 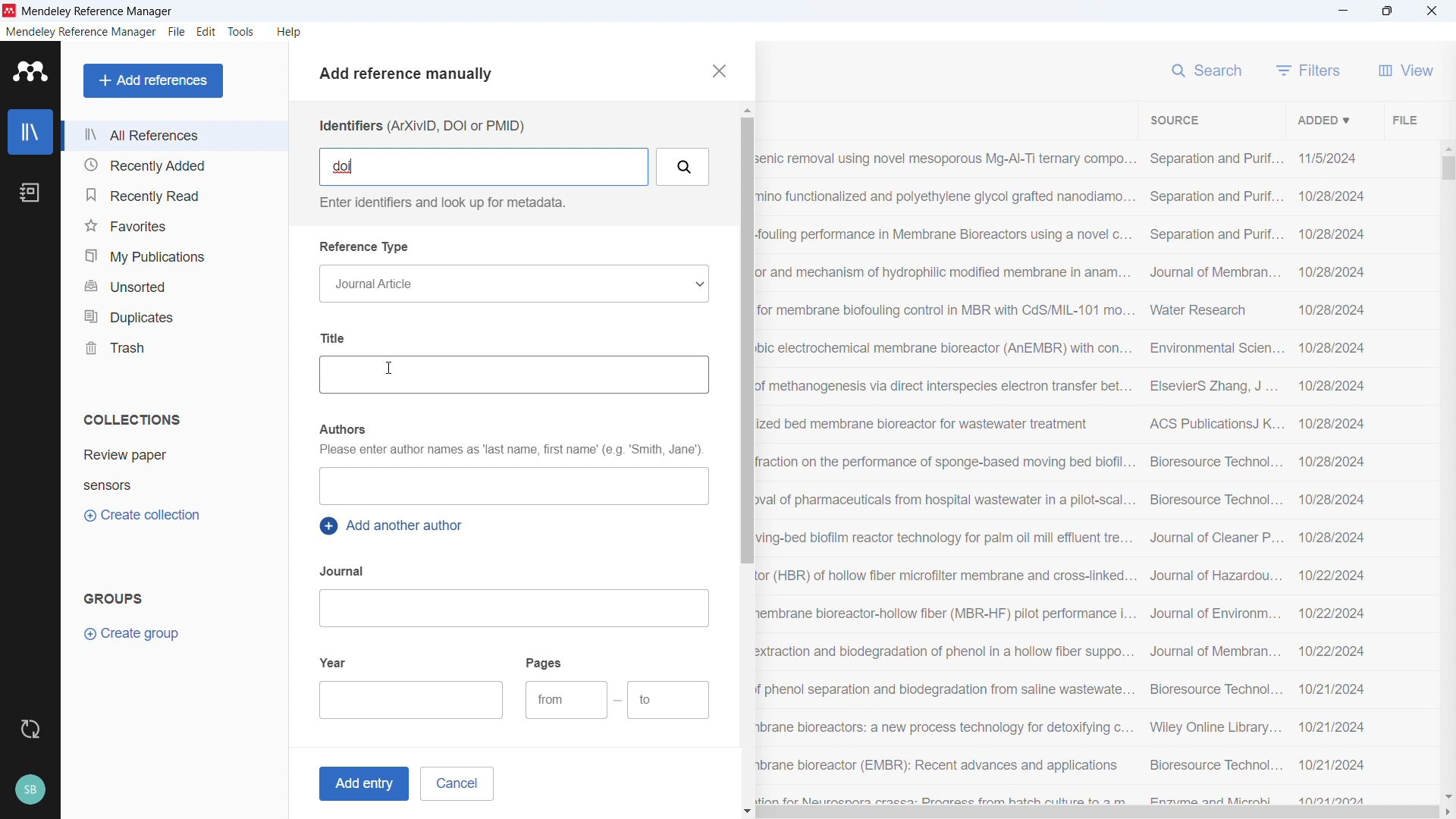 What do you see at coordinates (1388, 11) in the screenshot?
I see ` Maximise` at bounding box center [1388, 11].